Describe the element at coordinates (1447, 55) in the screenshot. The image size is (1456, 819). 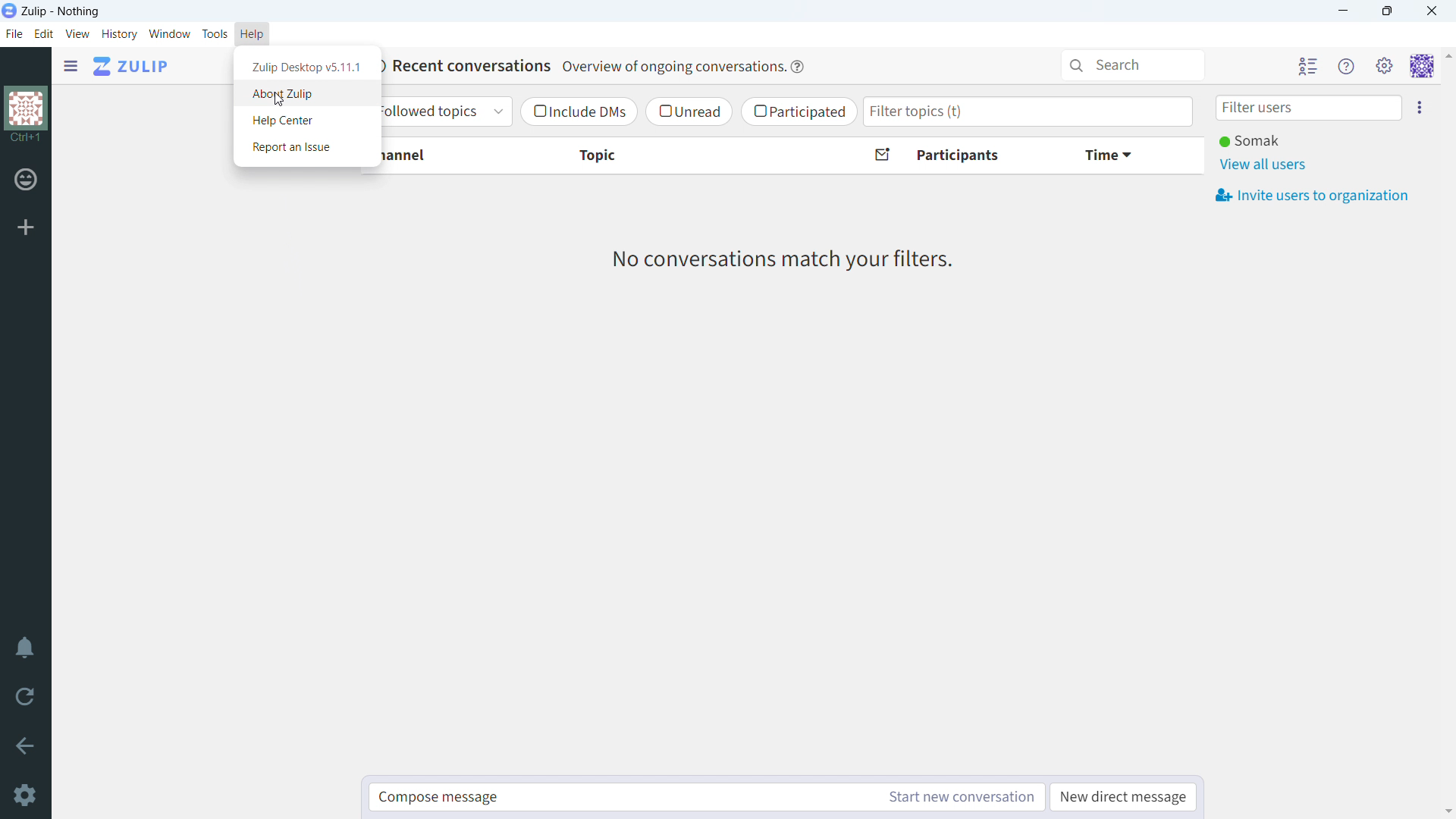
I see `scroll up button` at that location.